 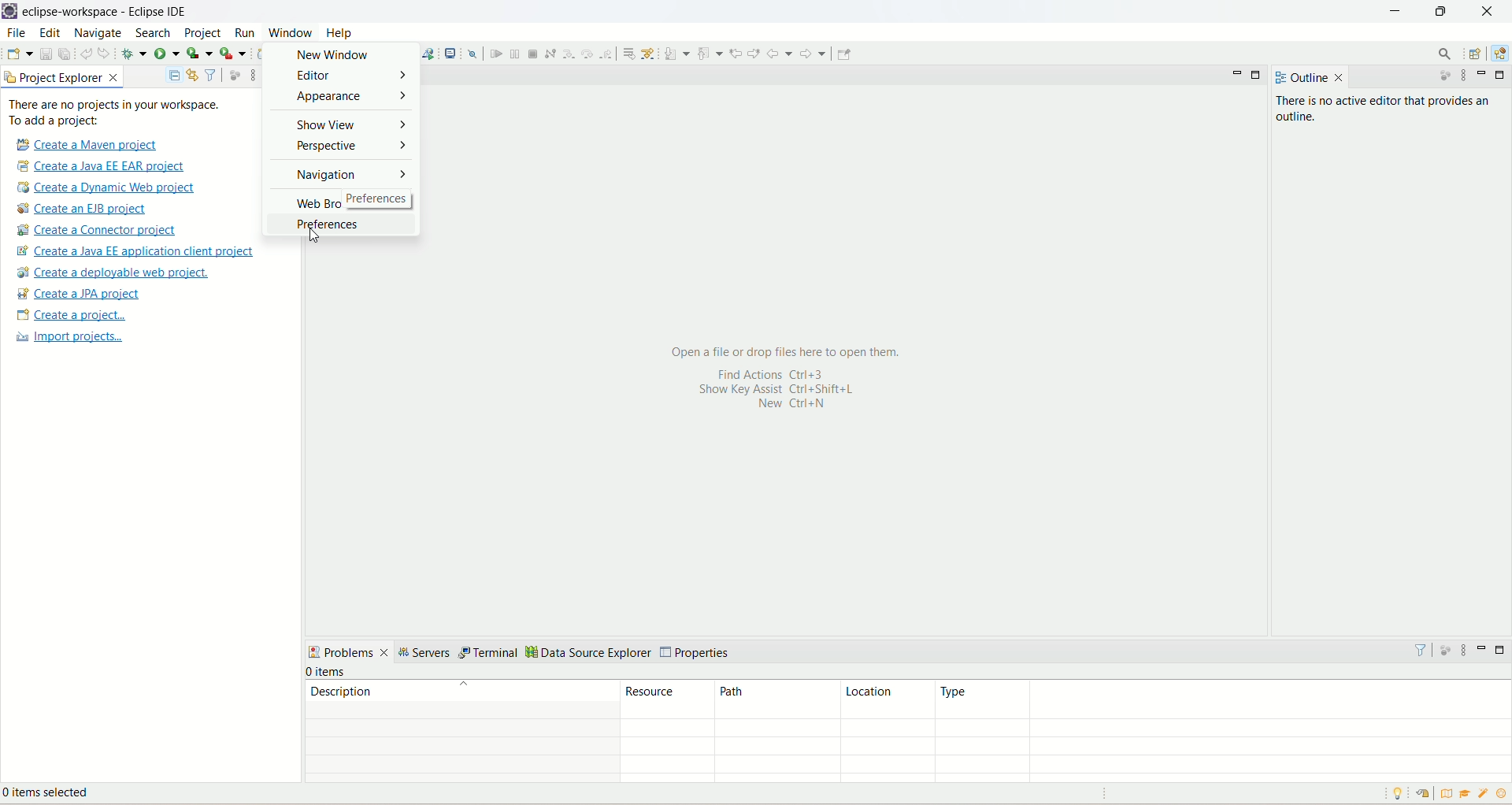 I want to click on step over, so click(x=586, y=54).